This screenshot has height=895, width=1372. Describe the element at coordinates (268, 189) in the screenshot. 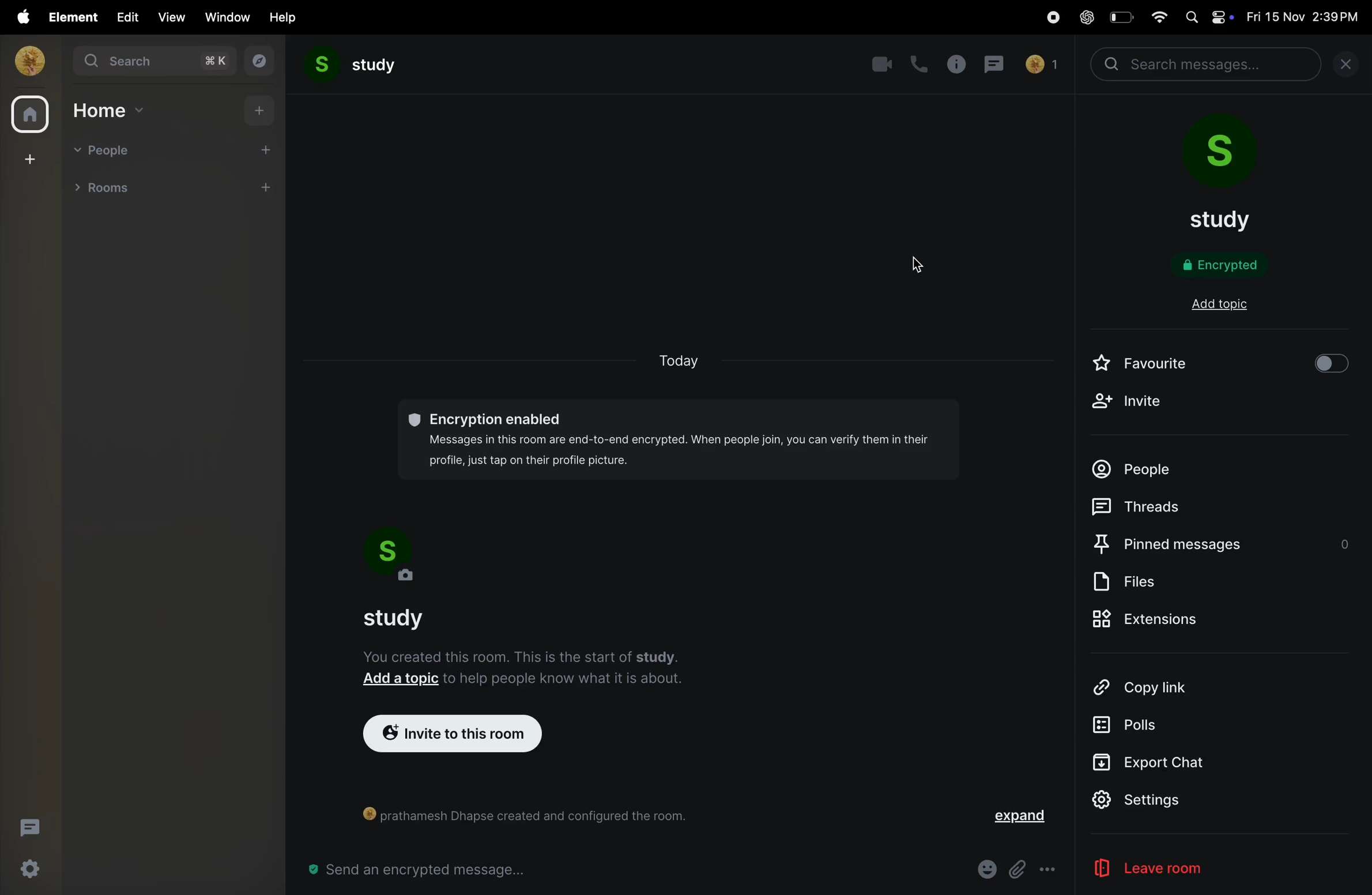

I see `add room` at that location.